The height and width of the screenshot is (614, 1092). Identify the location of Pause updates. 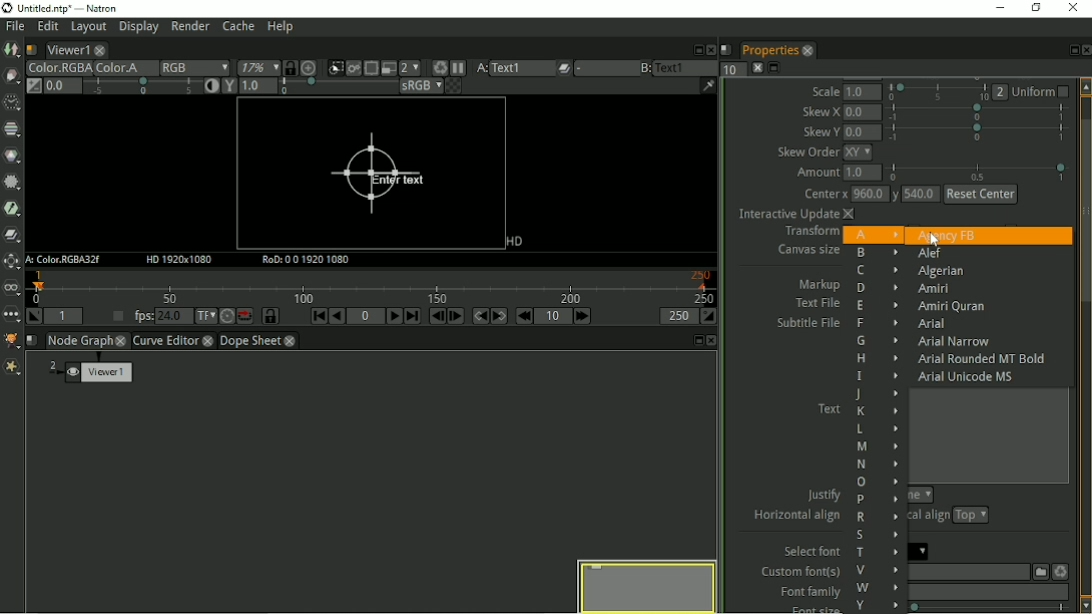
(459, 68).